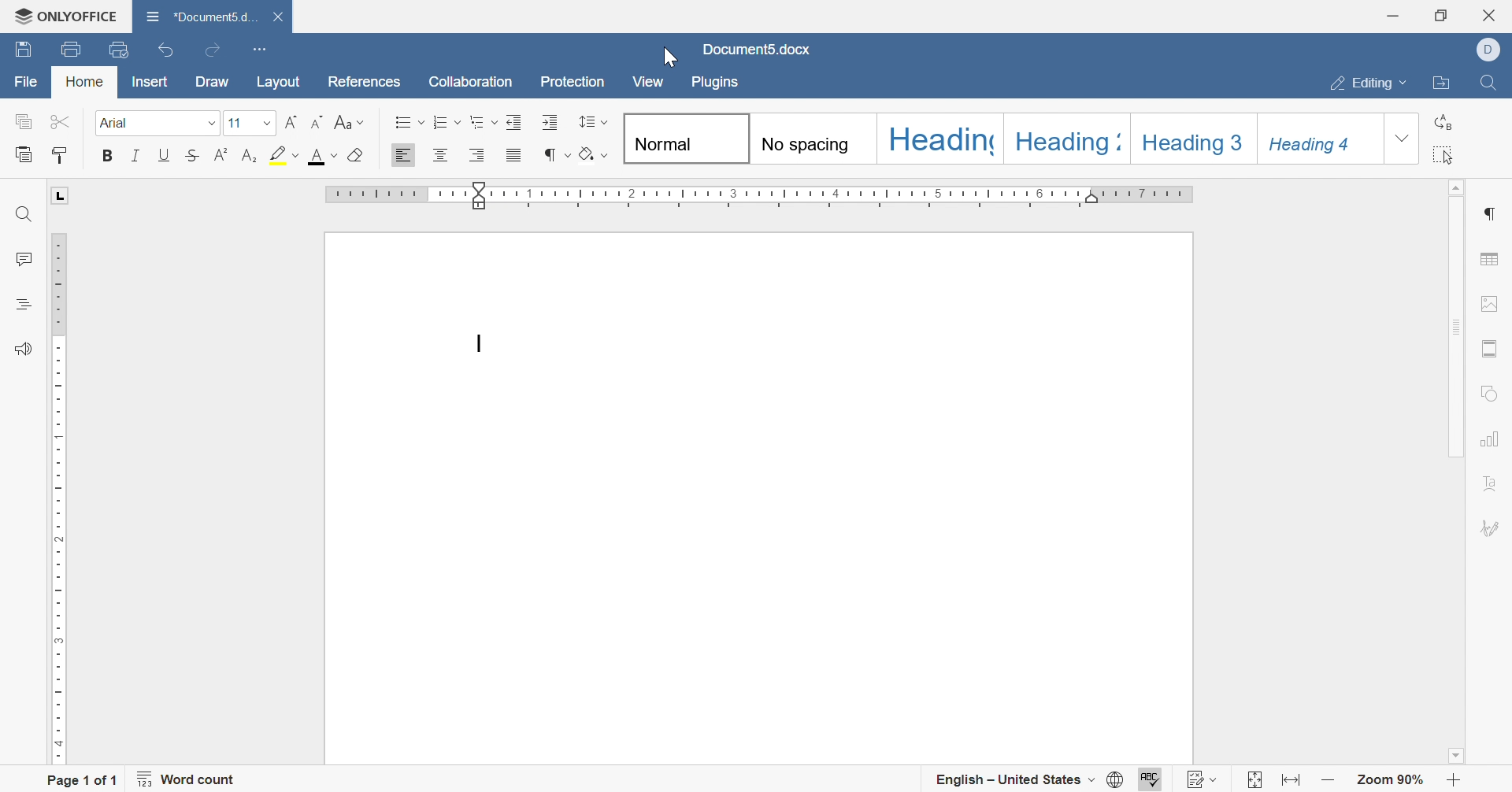 The width and height of the screenshot is (1512, 792). I want to click on increment font size, so click(291, 120).